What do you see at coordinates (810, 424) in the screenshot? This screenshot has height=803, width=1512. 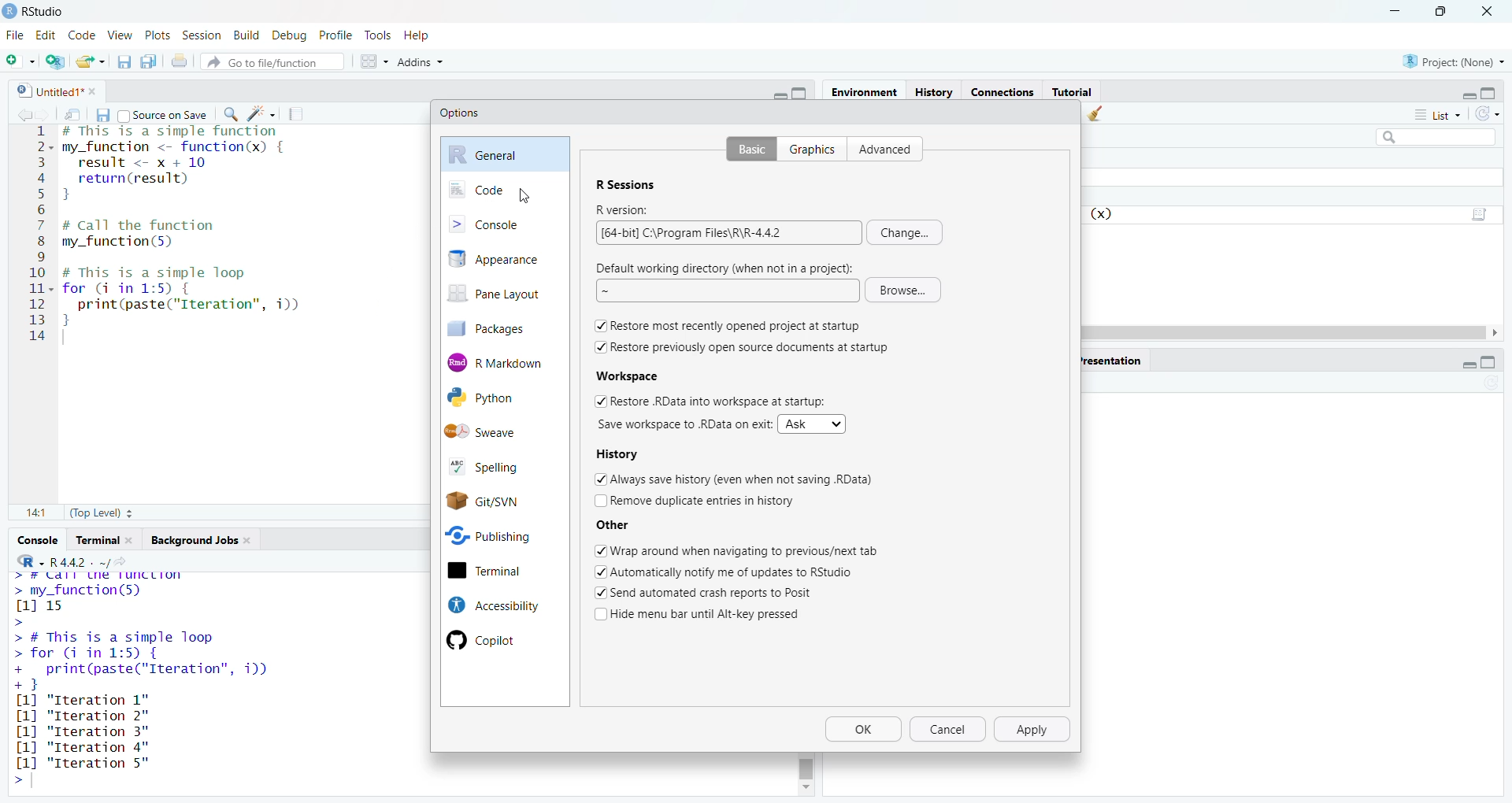 I see `Ask` at bounding box center [810, 424].